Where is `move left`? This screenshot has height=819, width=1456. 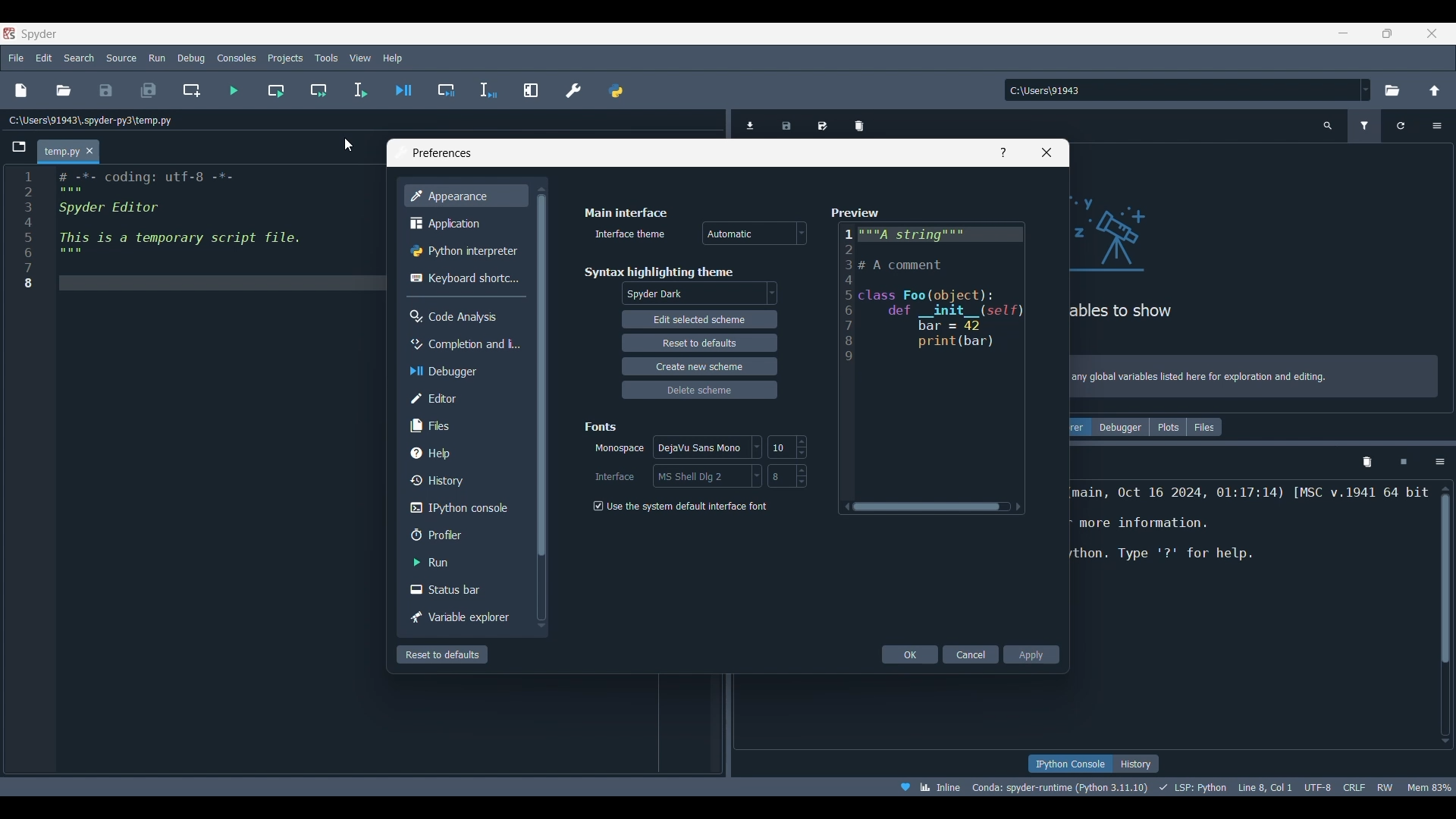
move left is located at coordinates (844, 507).